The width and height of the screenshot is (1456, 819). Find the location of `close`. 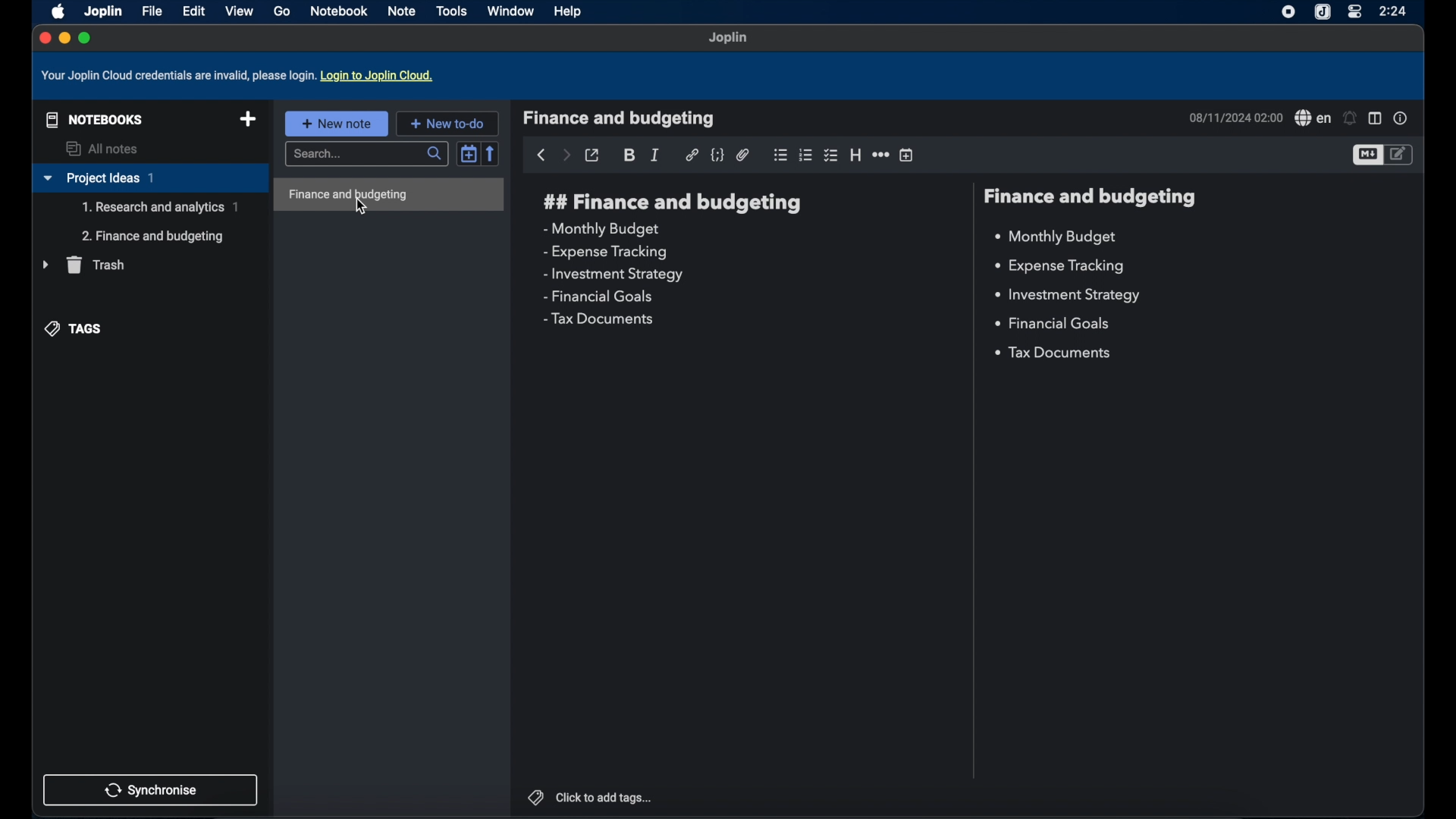

close is located at coordinates (43, 37).